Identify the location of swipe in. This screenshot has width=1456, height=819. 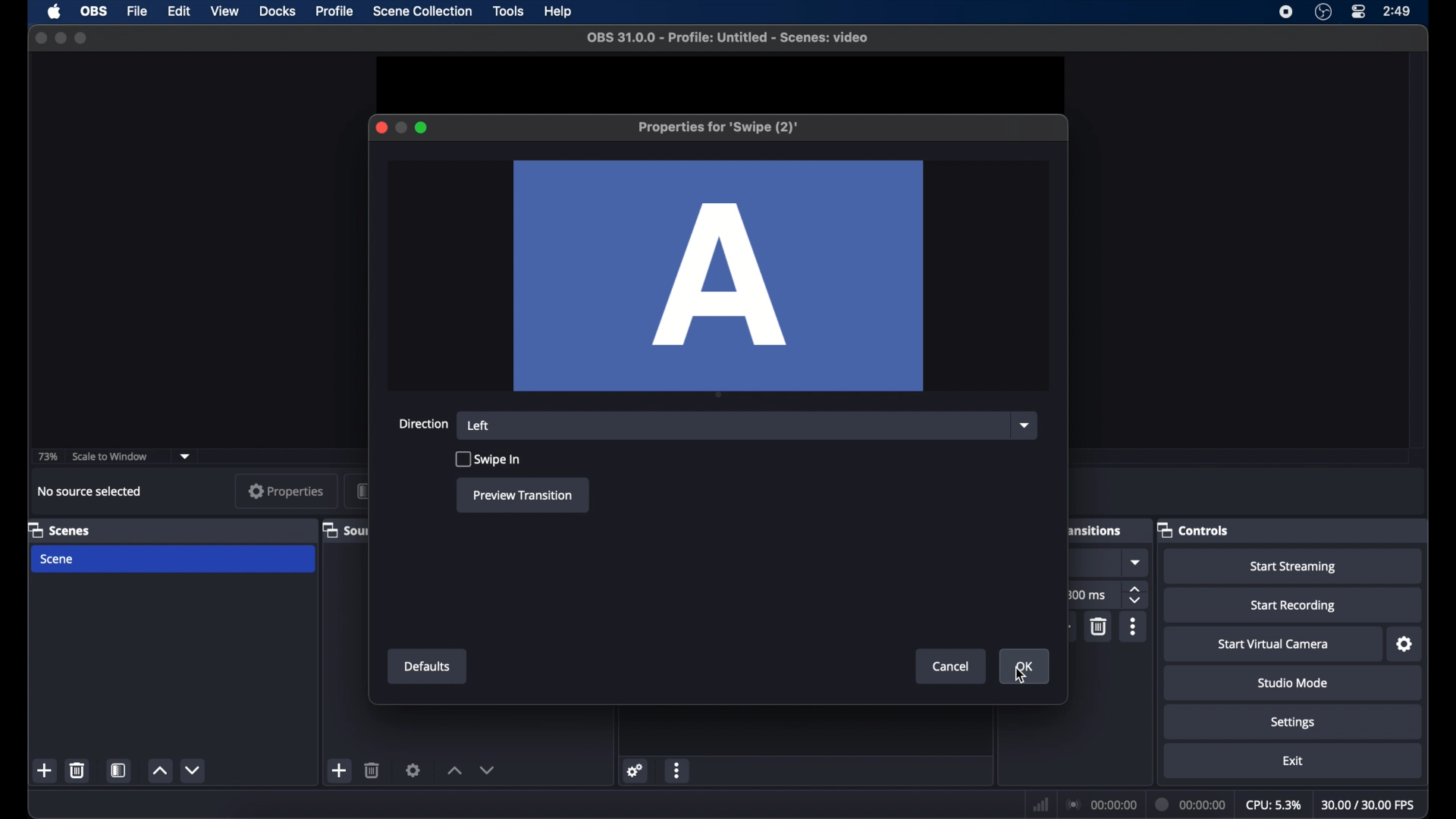
(487, 459).